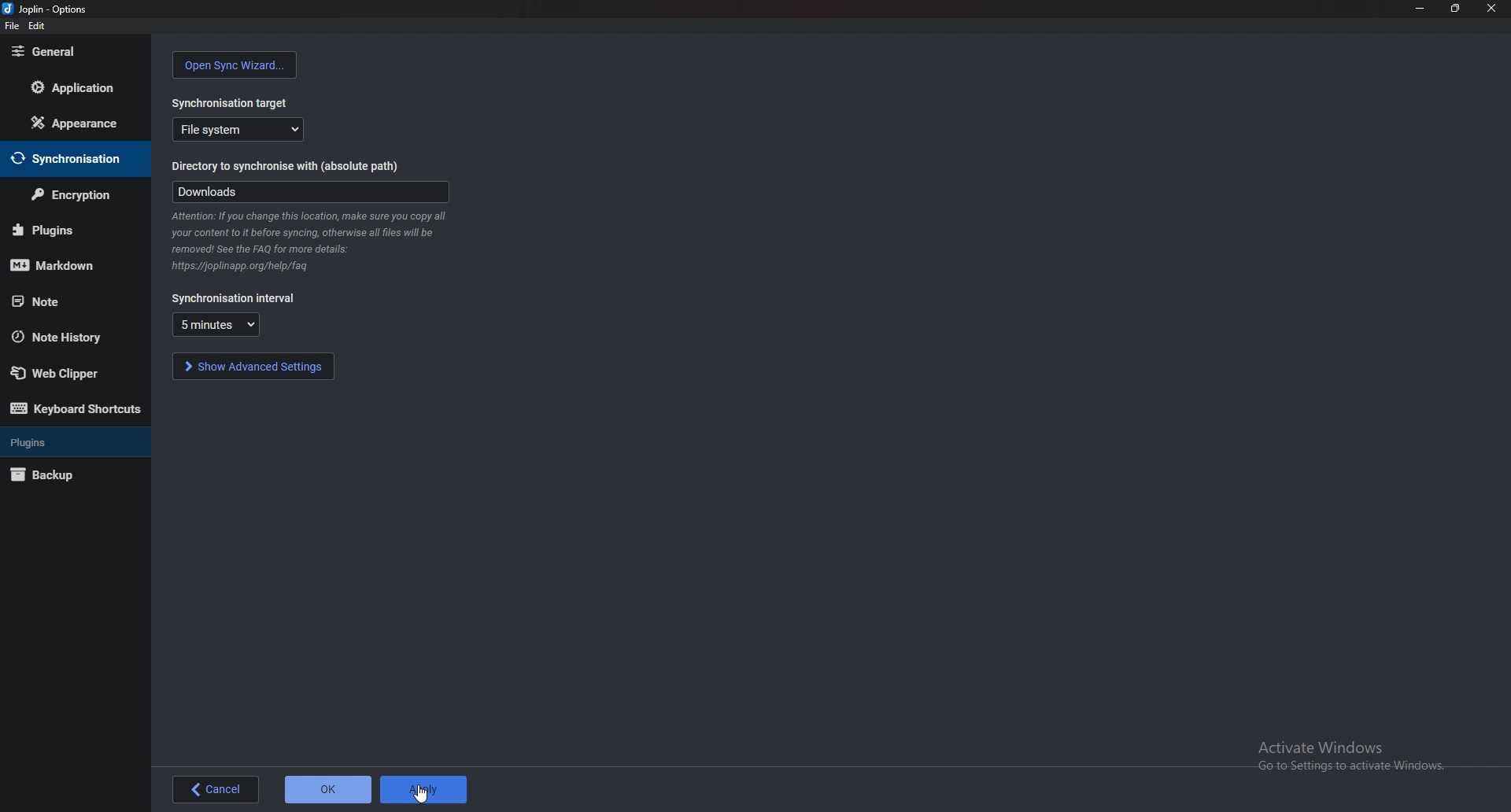  I want to click on back, so click(215, 789).